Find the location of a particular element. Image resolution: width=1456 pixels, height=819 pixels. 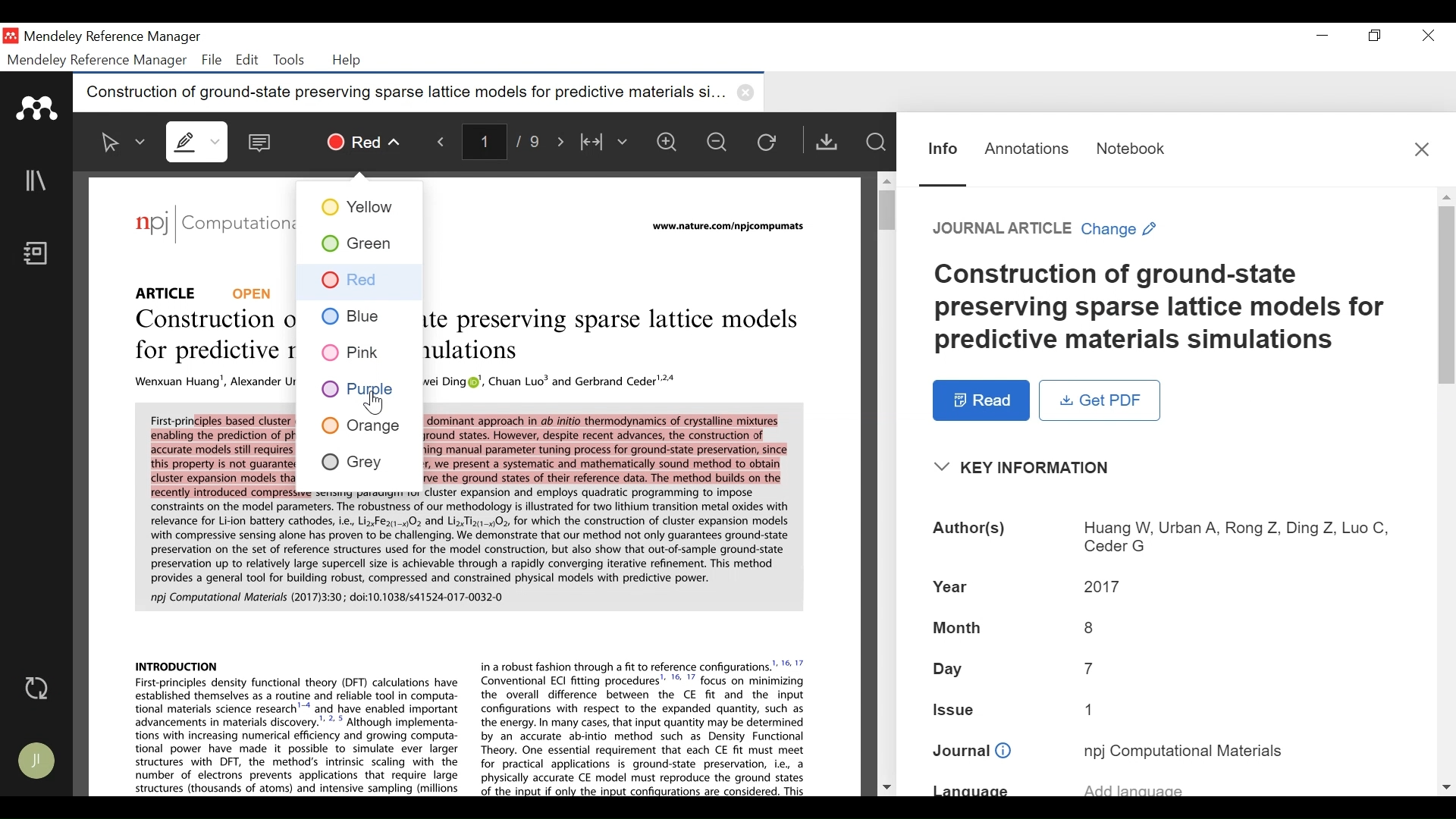

Purple is located at coordinates (358, 385).